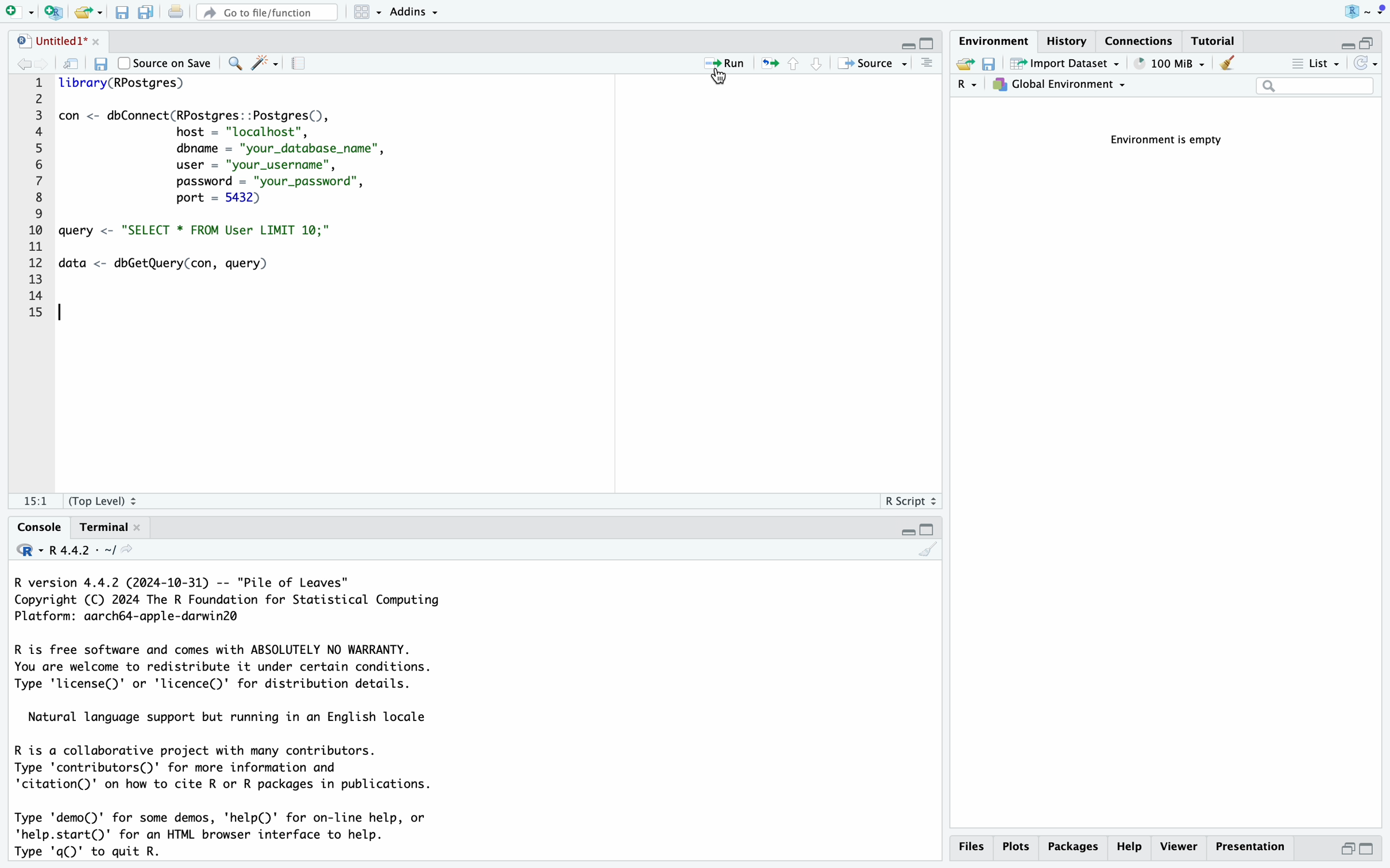  What do you see at coordinates (1256, 850) in the screenshot?
I see `presentation` at bounding box center [1256, 850].